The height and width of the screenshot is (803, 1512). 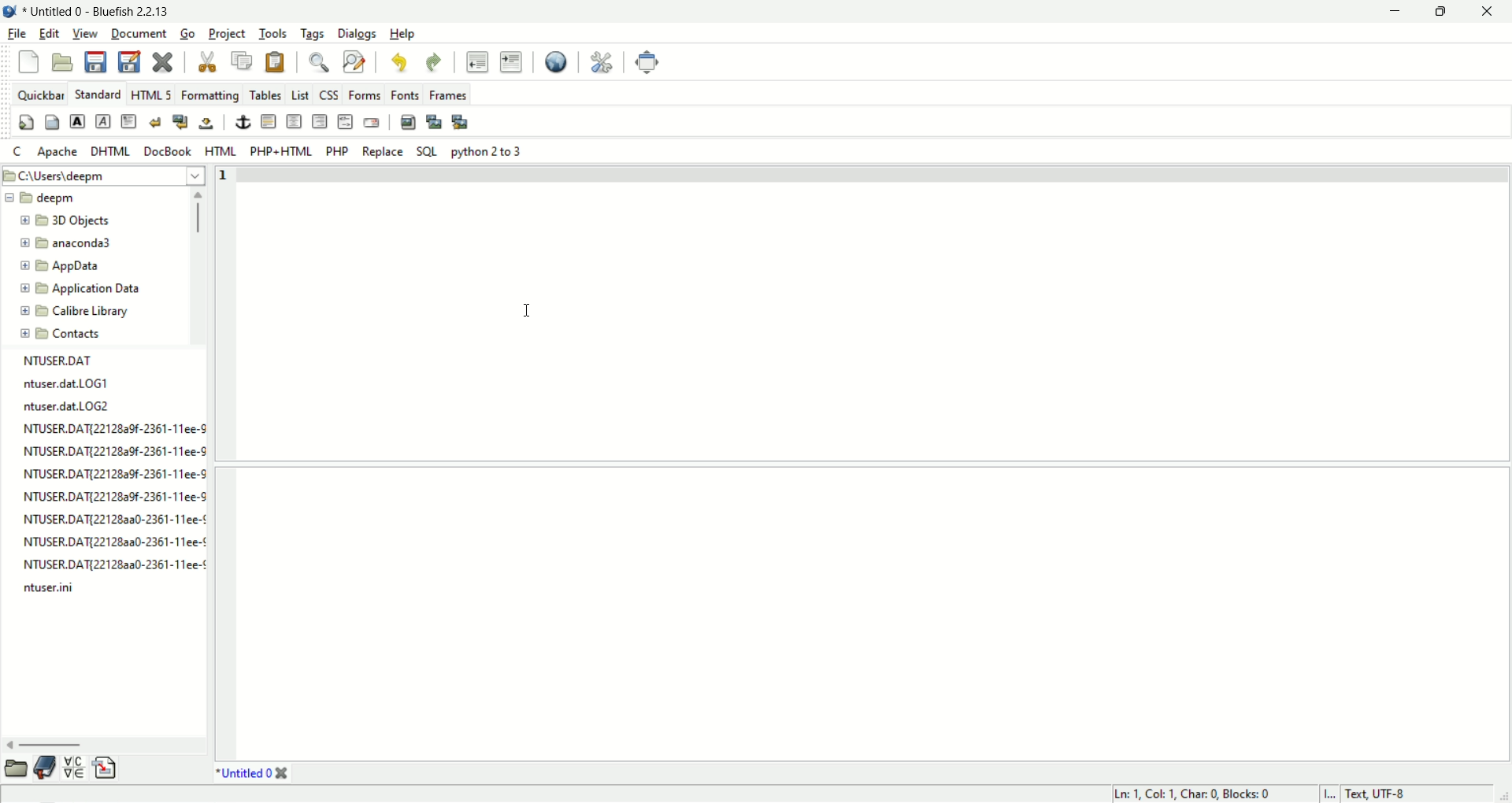 What do you see at coordinates (451, 95) in the screenshot?
I see `frames` at bounding box center [451, 95].